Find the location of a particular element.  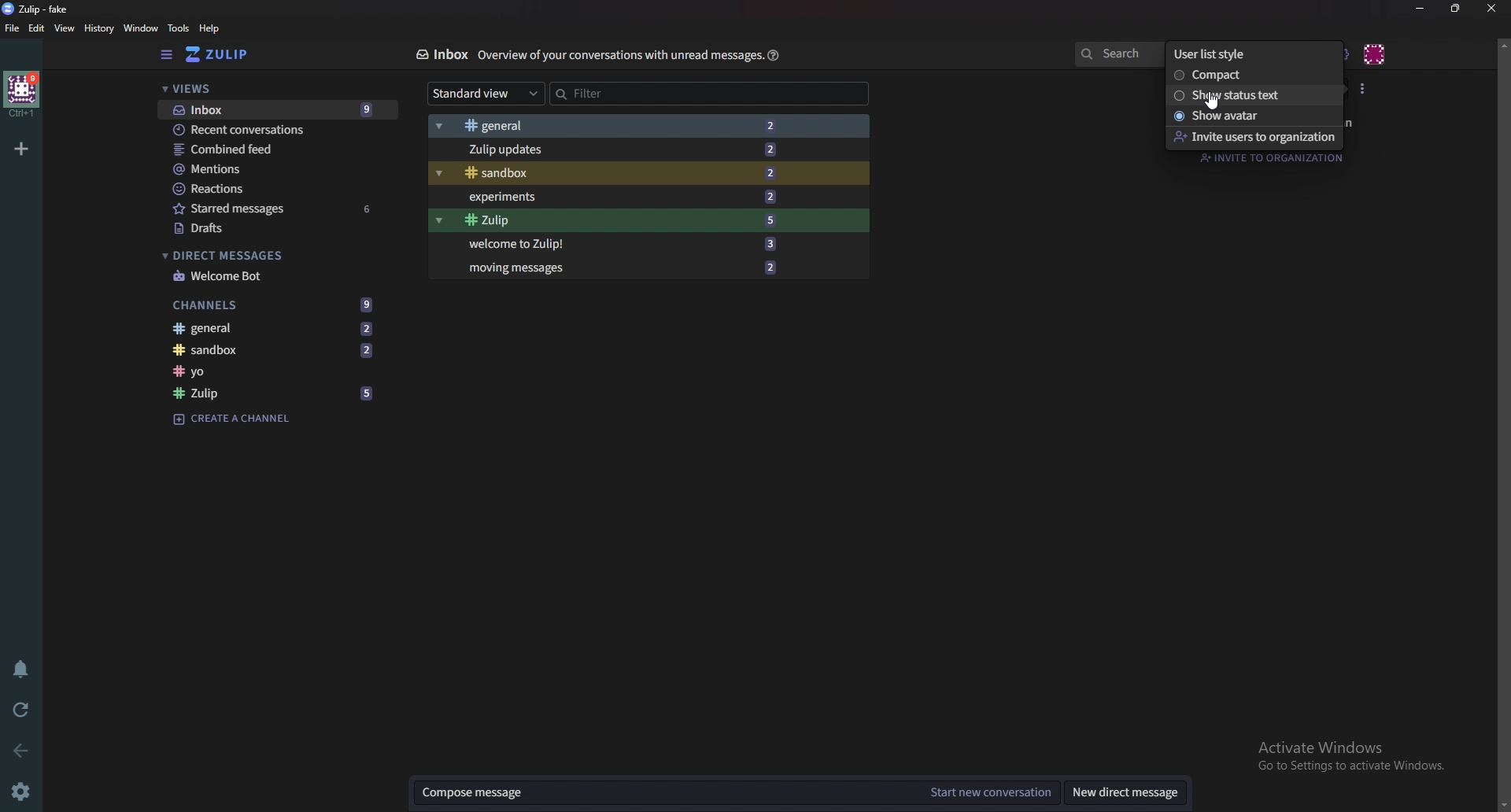

Sandbox is located at coordinates (279, 352).